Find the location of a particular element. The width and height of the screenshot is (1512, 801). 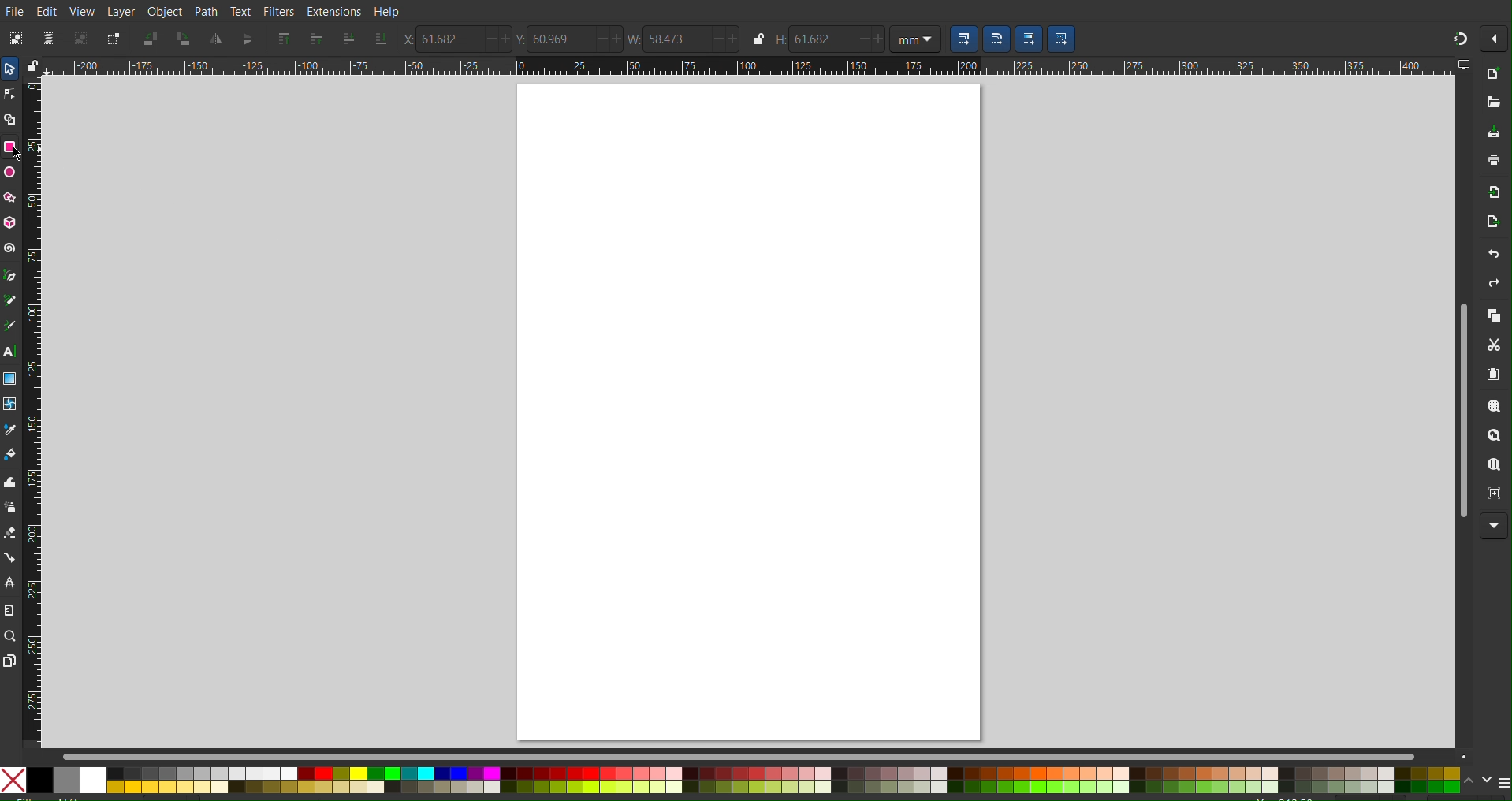

Rotate CW is located at coordinates (184, 39).